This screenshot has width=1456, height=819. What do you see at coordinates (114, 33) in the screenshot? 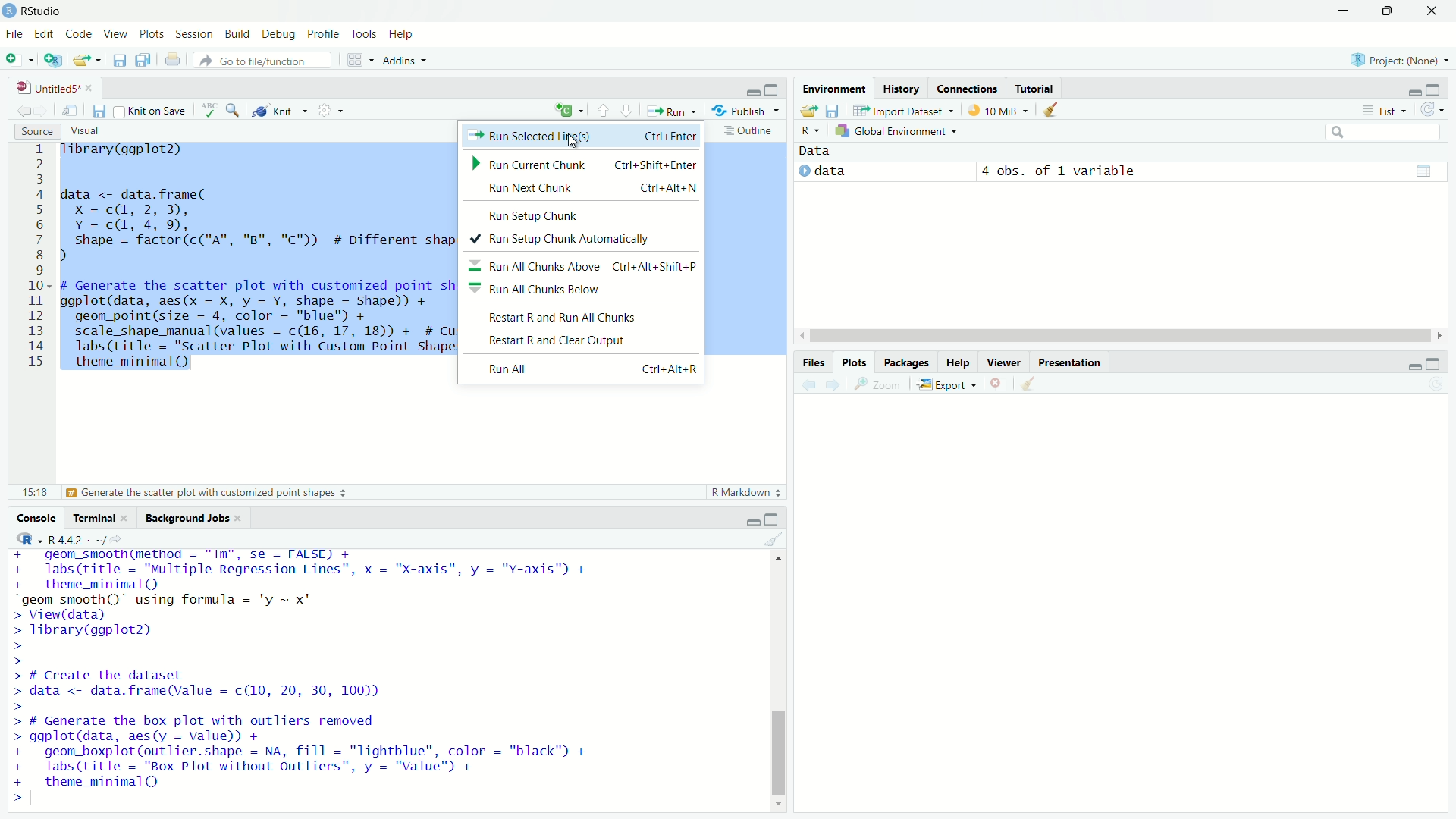
I see `View` at bounding box center [114, 33].